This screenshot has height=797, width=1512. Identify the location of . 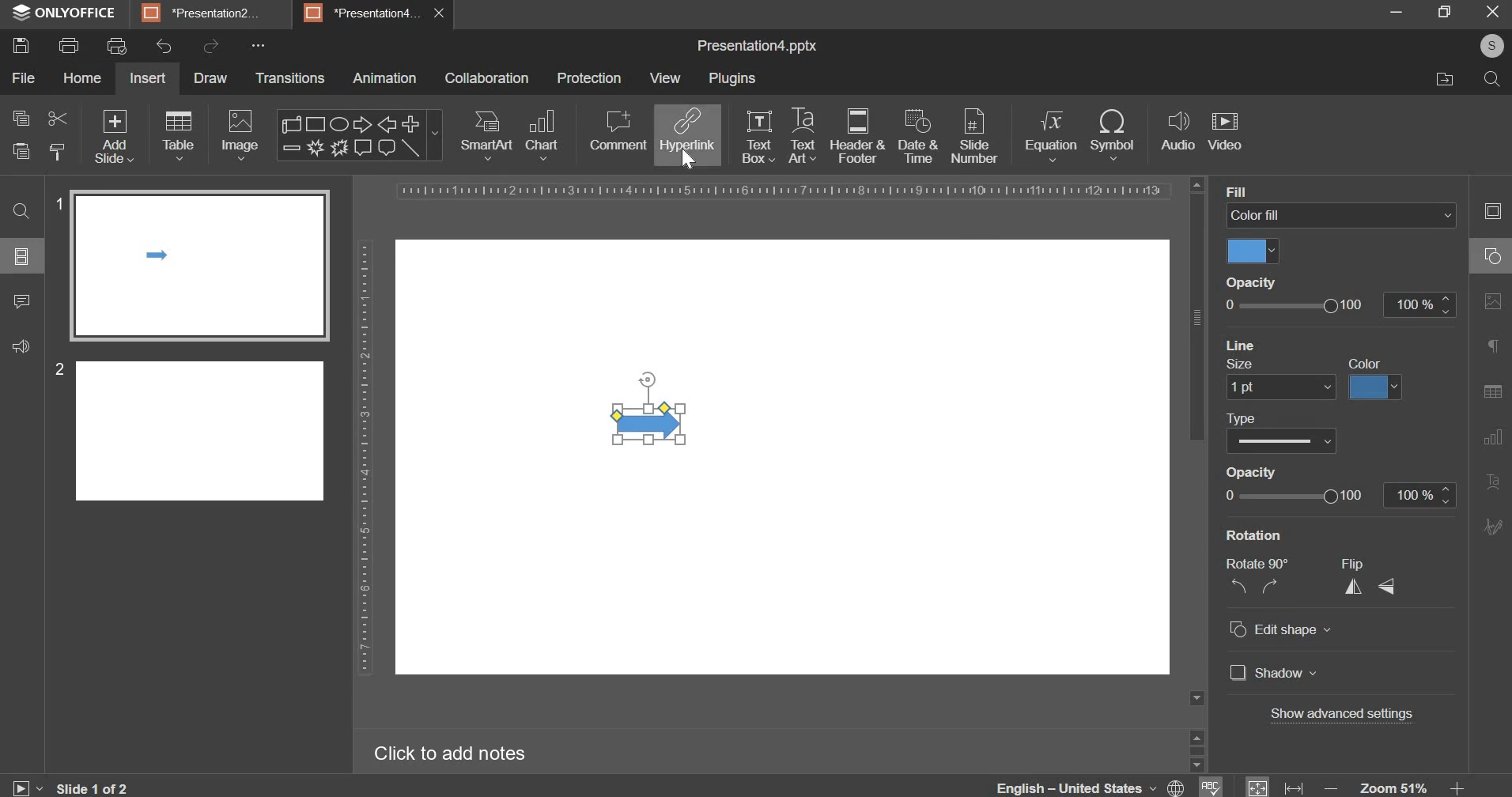
(1287, 475).